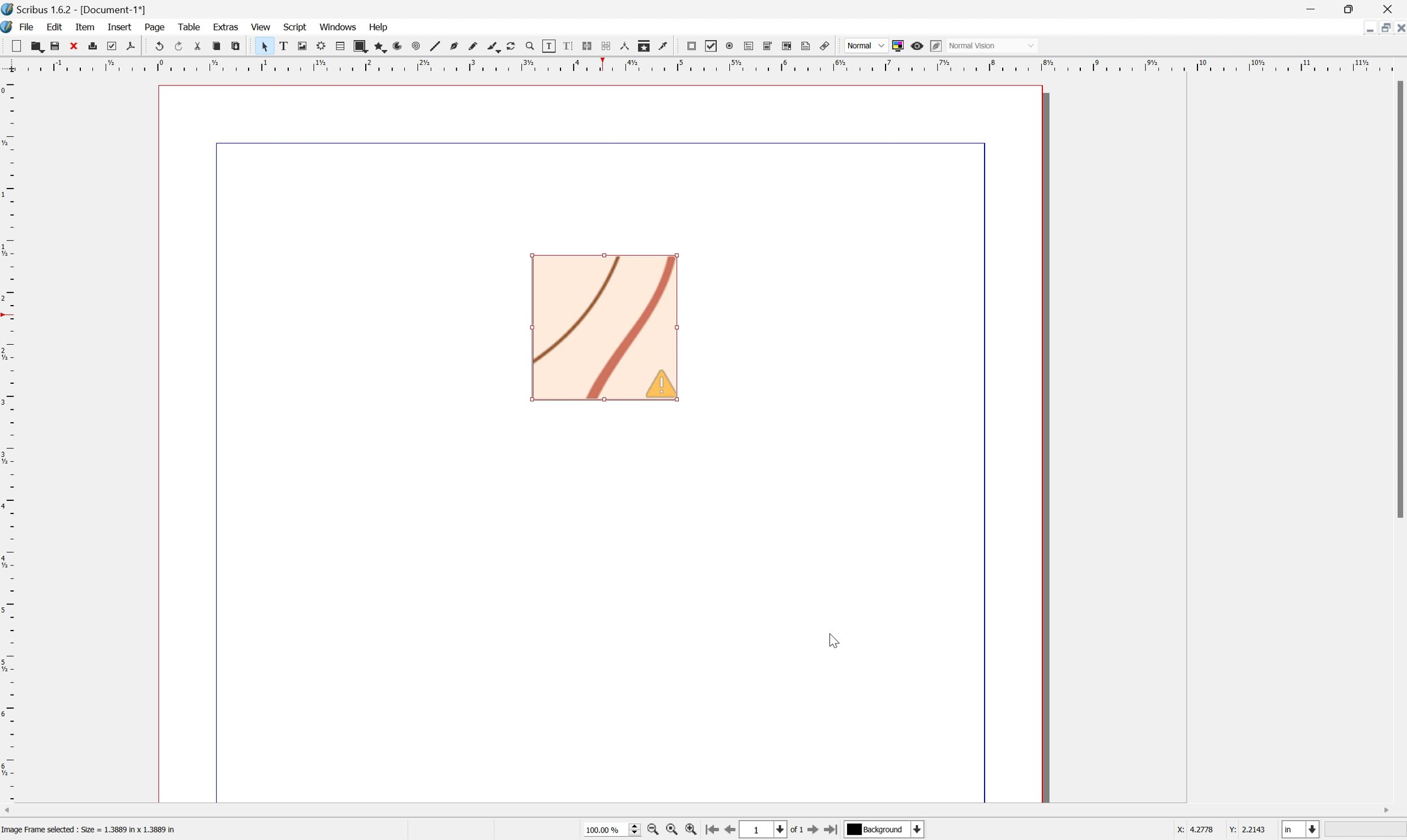 The height and width of the screenshot is (840, 1407). What do you see at coordinates (263, 46) in the screenshot?
I see `Select item` at bounding box center [263, 46].